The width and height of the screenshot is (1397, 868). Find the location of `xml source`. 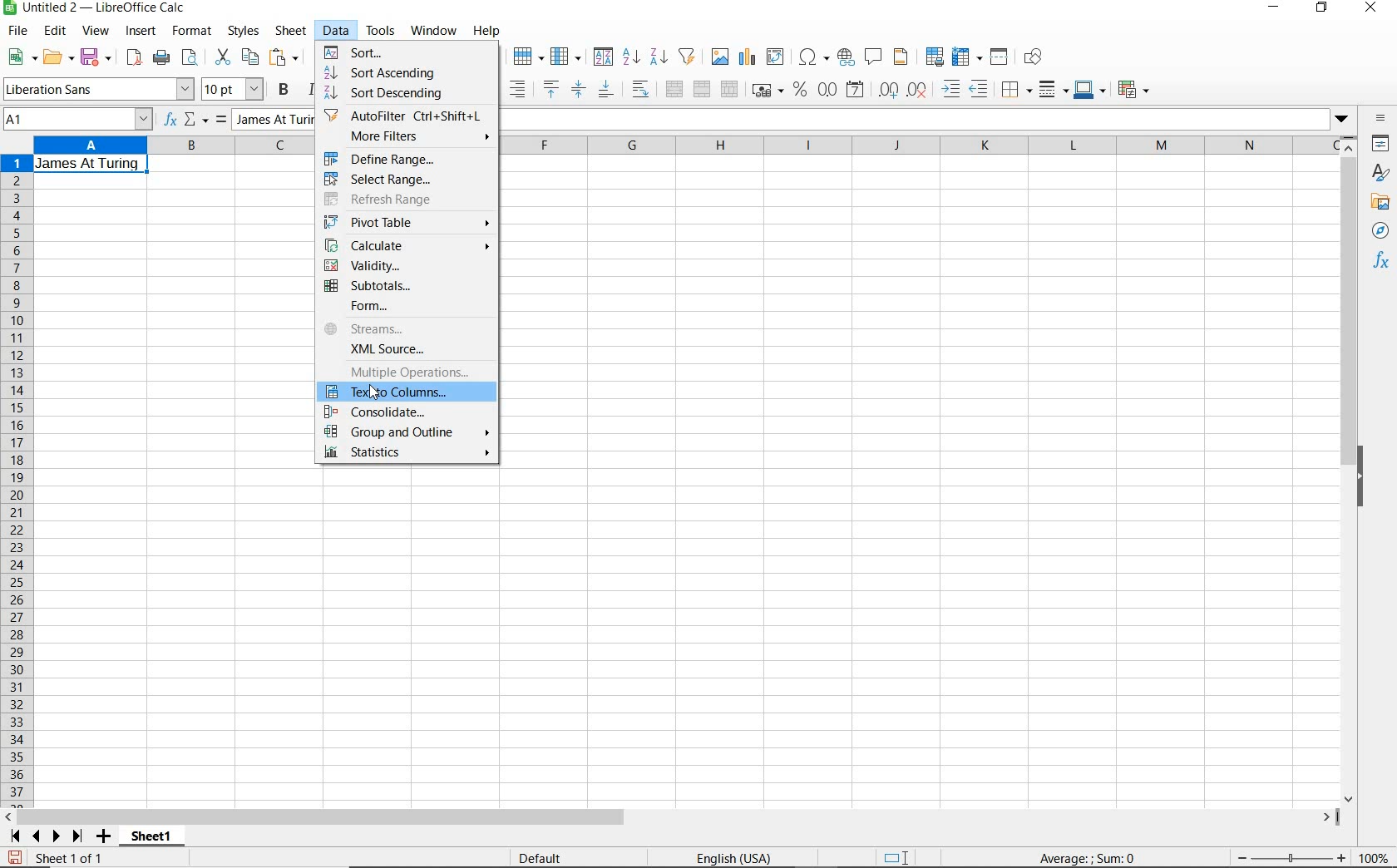

xml source is located at coordinates (406, 350).